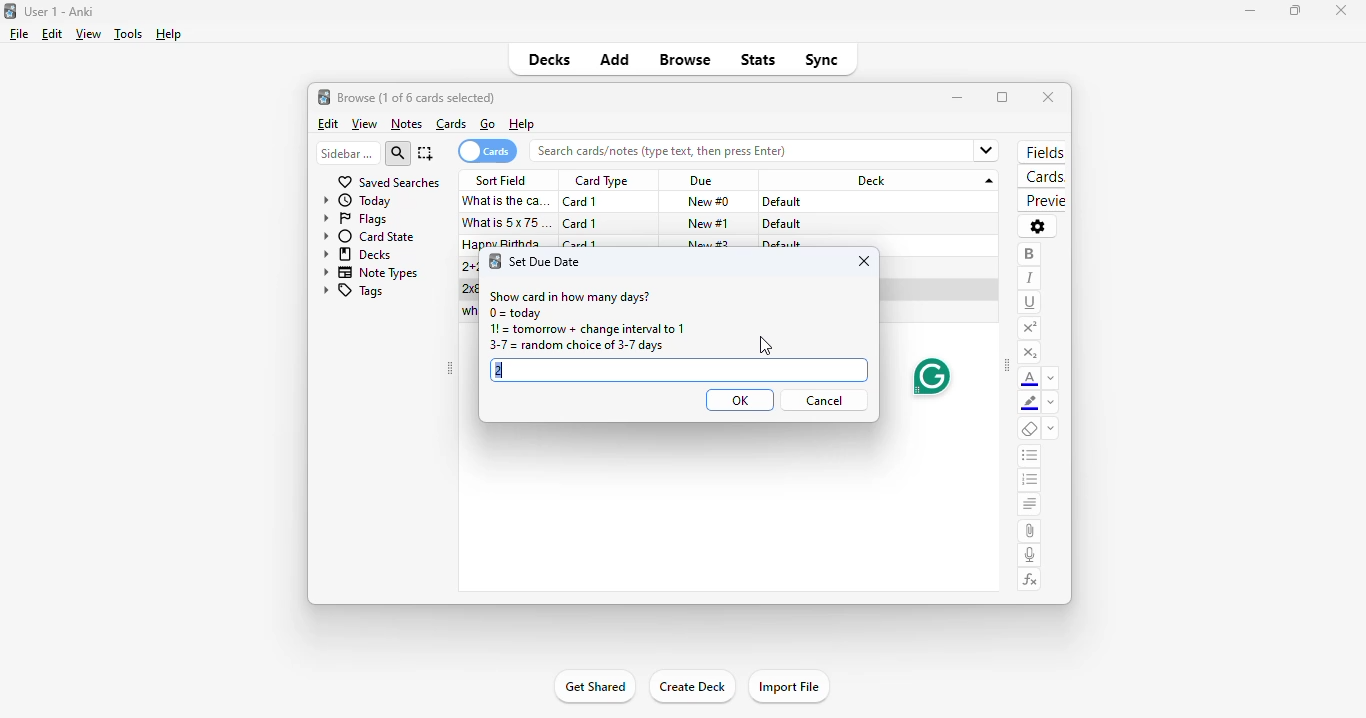  I want to click on text color, so click(1030, 379).